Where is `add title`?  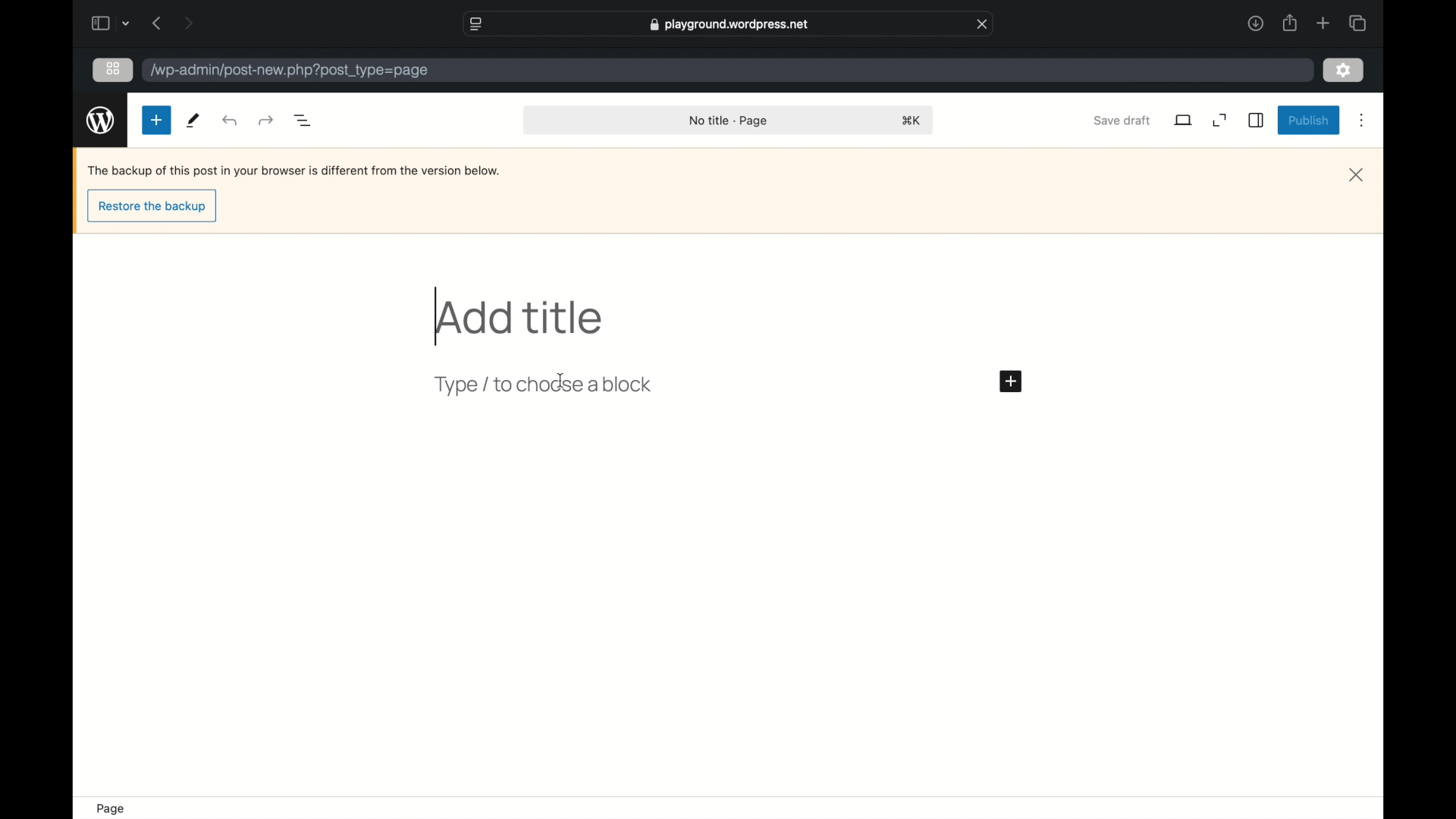
add title is located at coordinates (522, 318).